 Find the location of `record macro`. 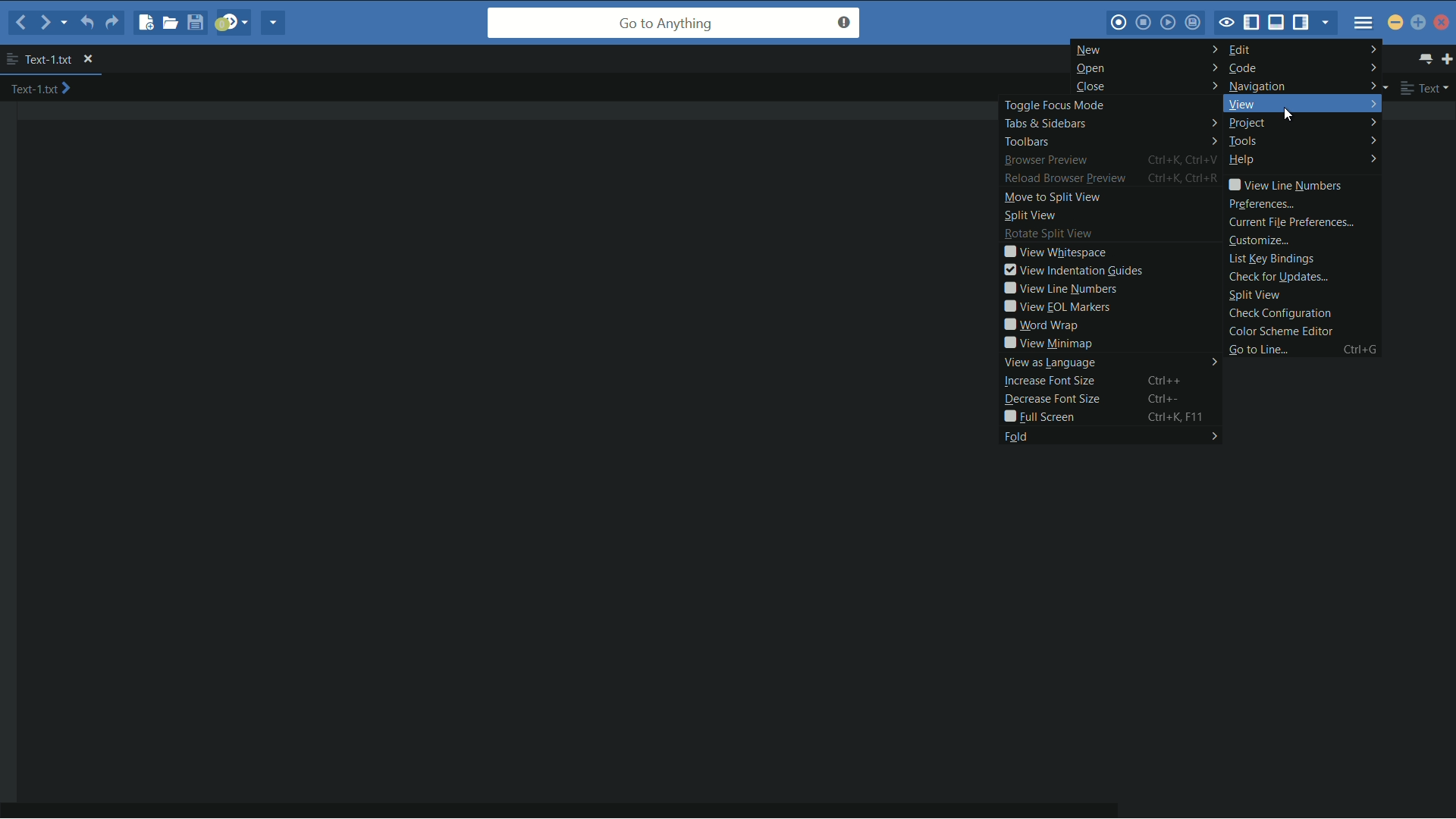

record macro is located at coordinates (1118, 24).